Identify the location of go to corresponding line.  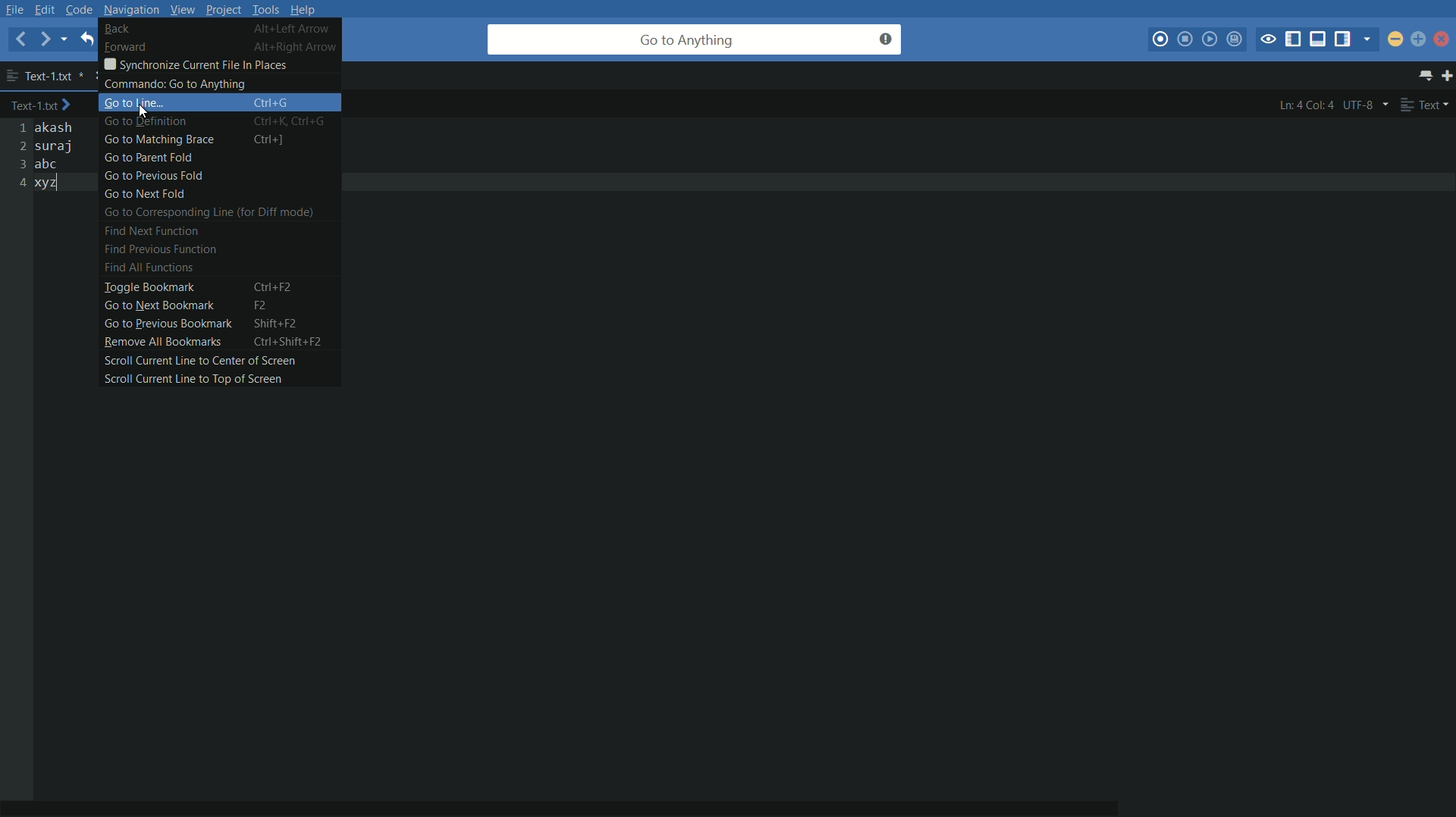
(206, 214).